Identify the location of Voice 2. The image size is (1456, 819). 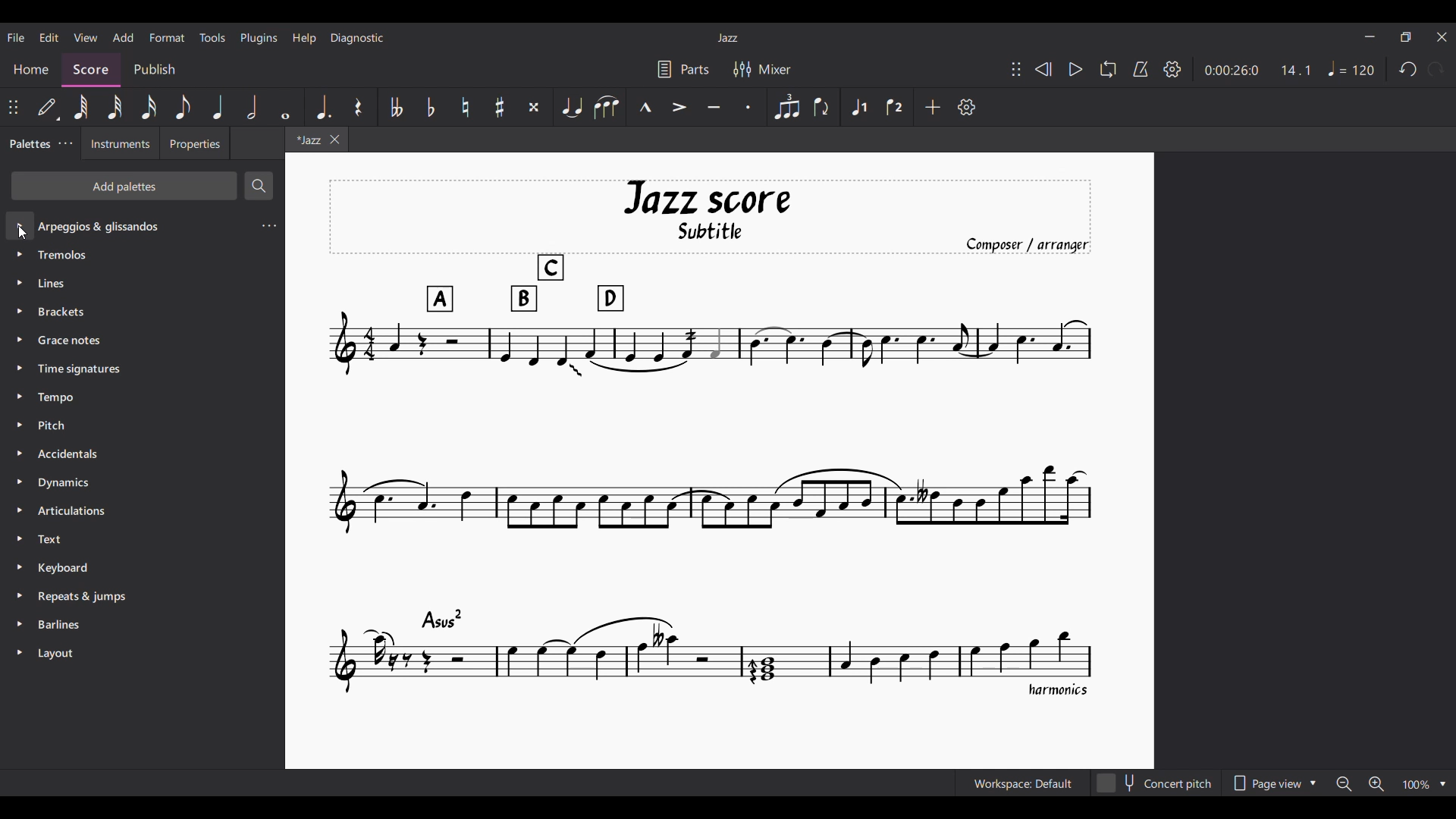
(896, 106).